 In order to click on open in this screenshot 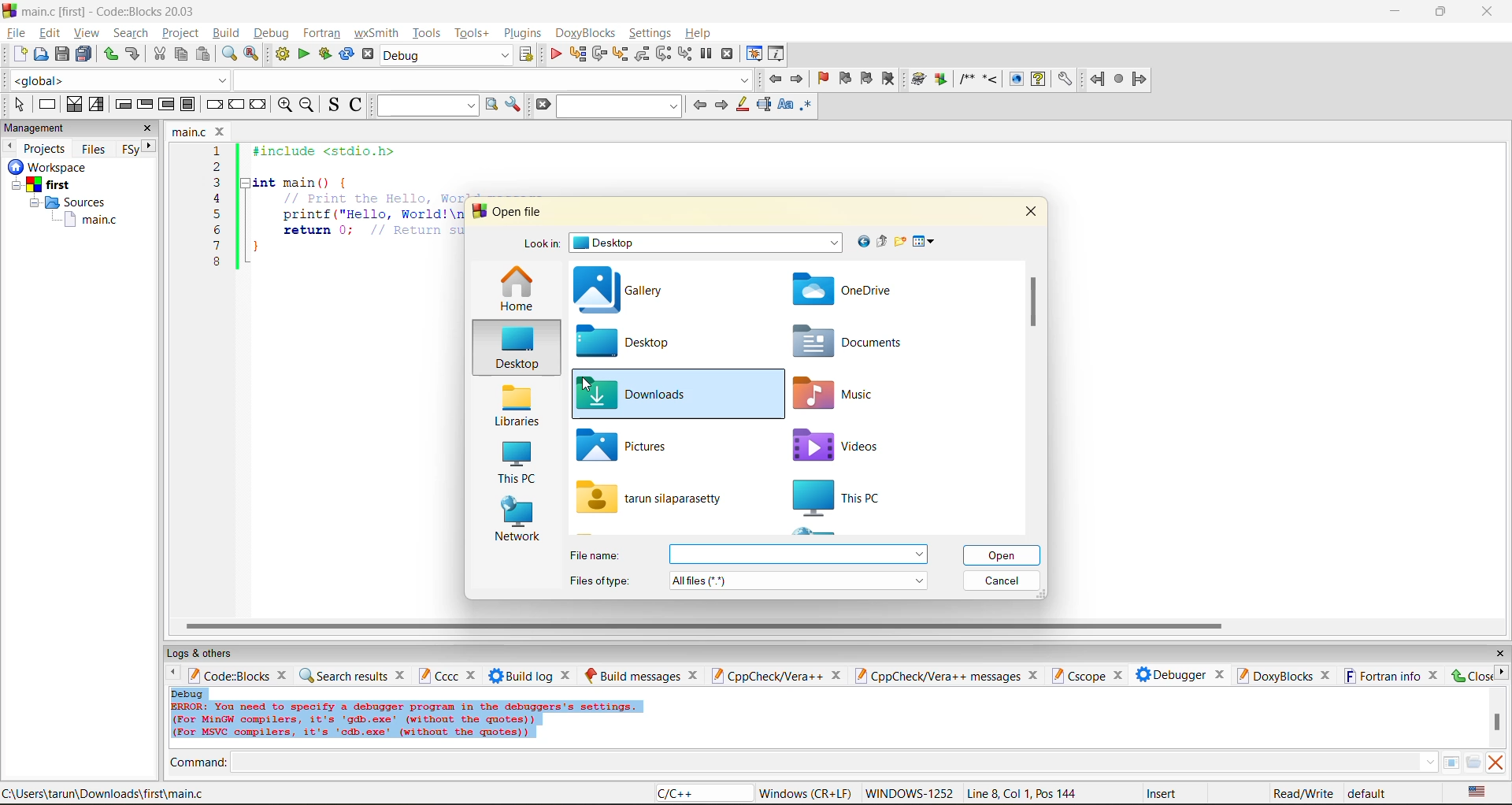, I will do `click(1004, 555)`.